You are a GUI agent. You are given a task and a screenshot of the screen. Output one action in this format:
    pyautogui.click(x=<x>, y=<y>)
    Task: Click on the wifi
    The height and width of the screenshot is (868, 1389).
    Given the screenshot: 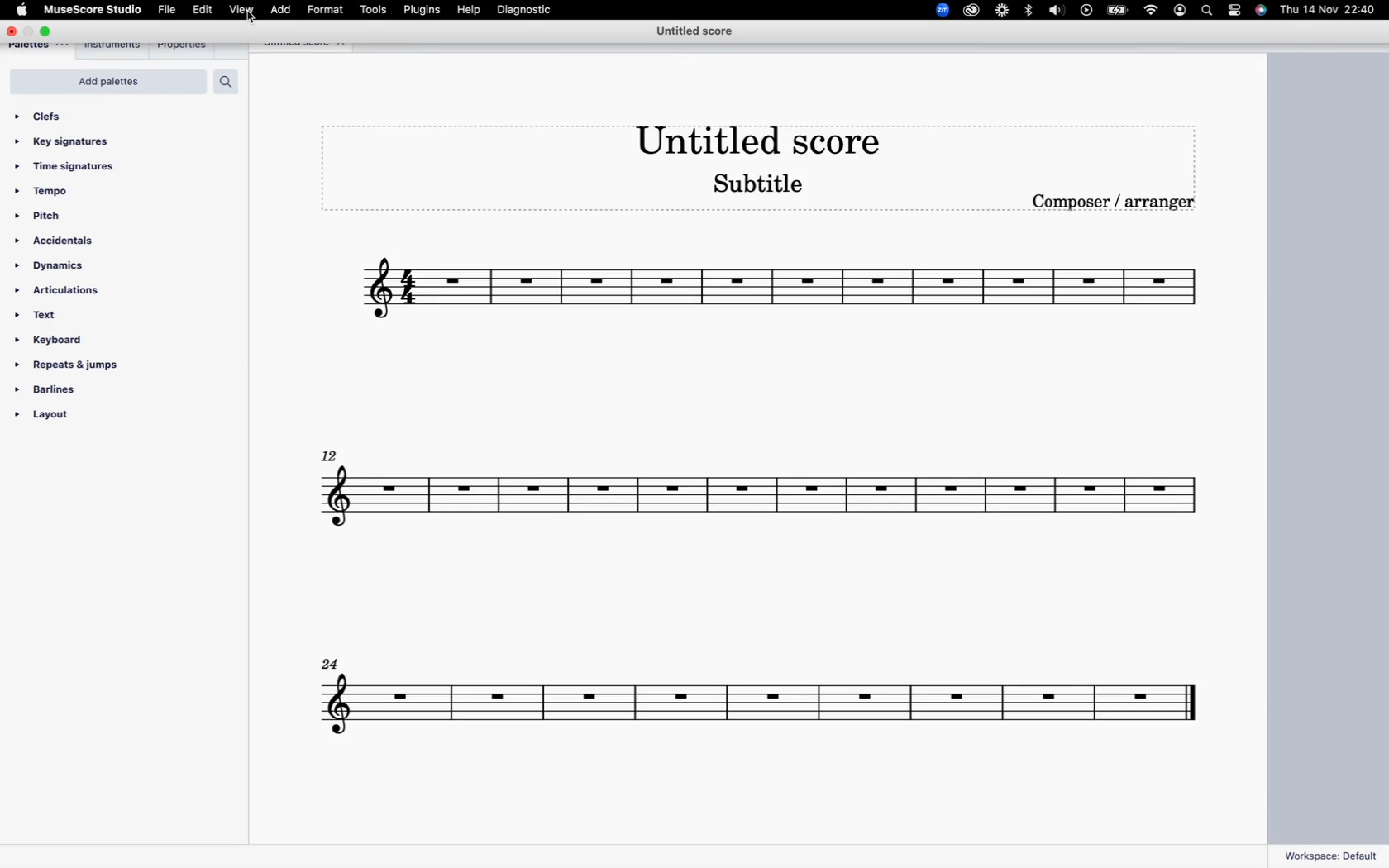 What is the action you would take?
    pyautogui.click(x=1150, y=12)
    